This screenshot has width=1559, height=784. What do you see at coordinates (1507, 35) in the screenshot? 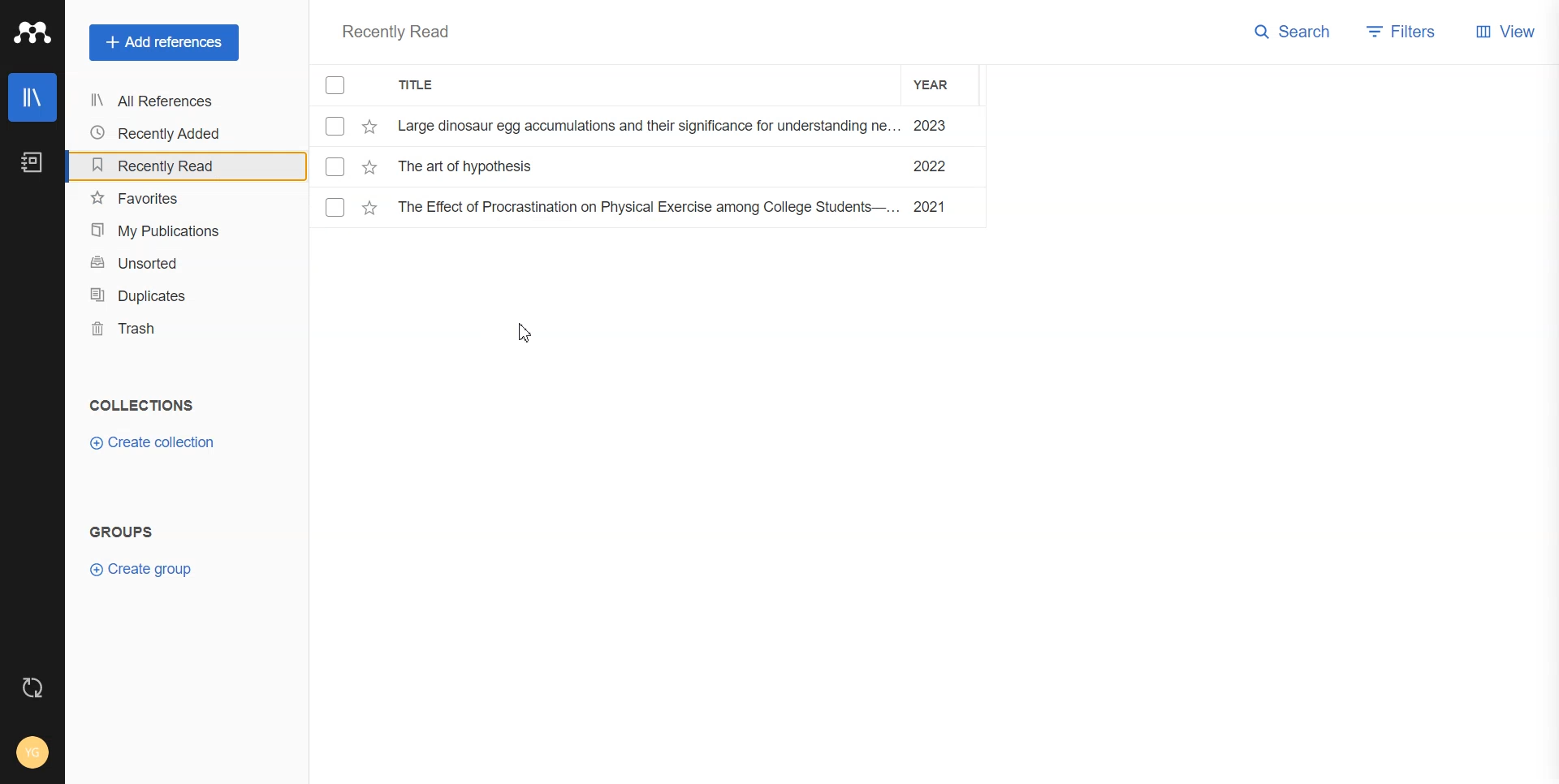
I see `View` at bounding box center [1507, 35].